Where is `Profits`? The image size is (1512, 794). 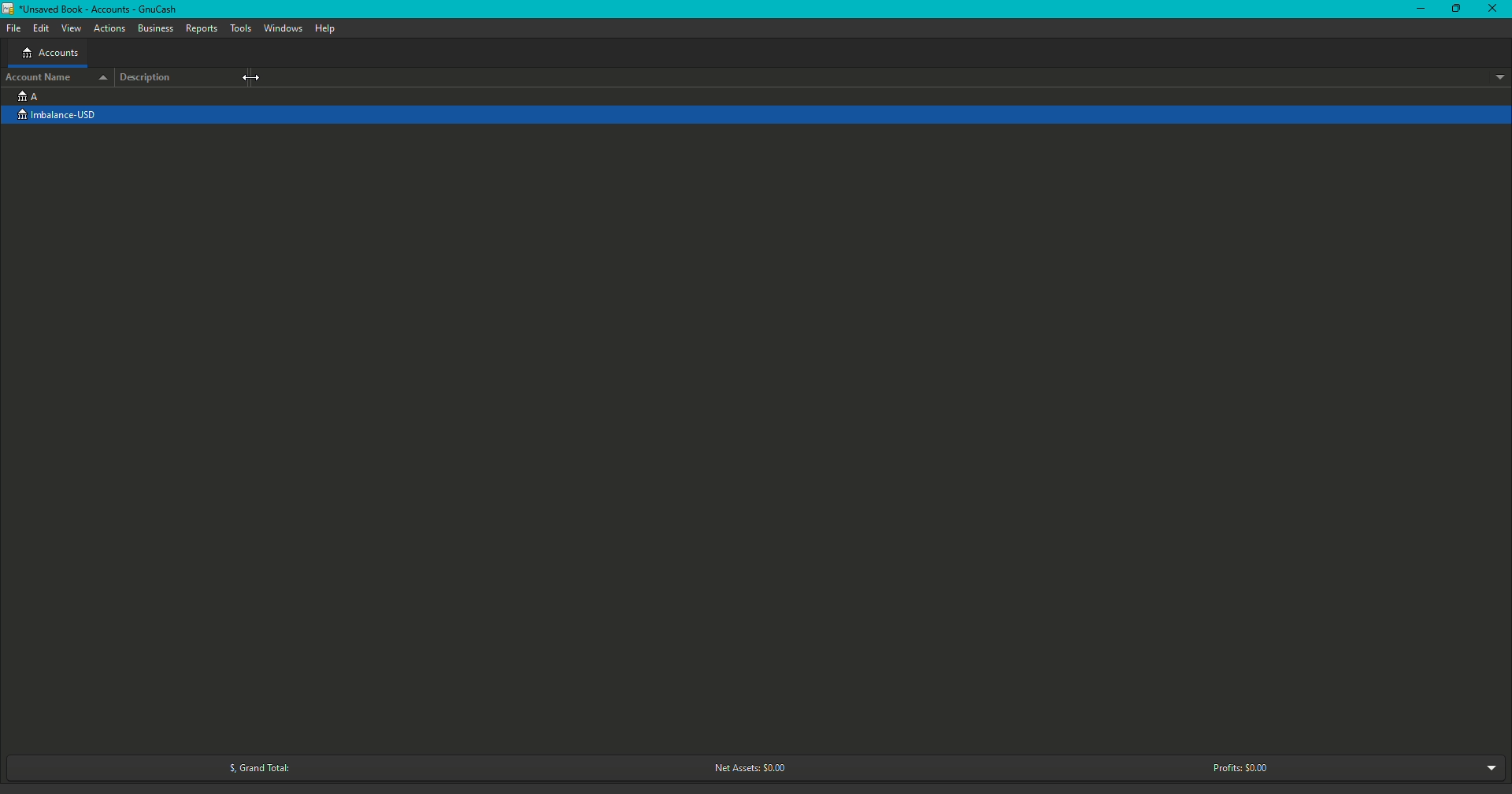 Profits is located at coordinates (1240, 767).